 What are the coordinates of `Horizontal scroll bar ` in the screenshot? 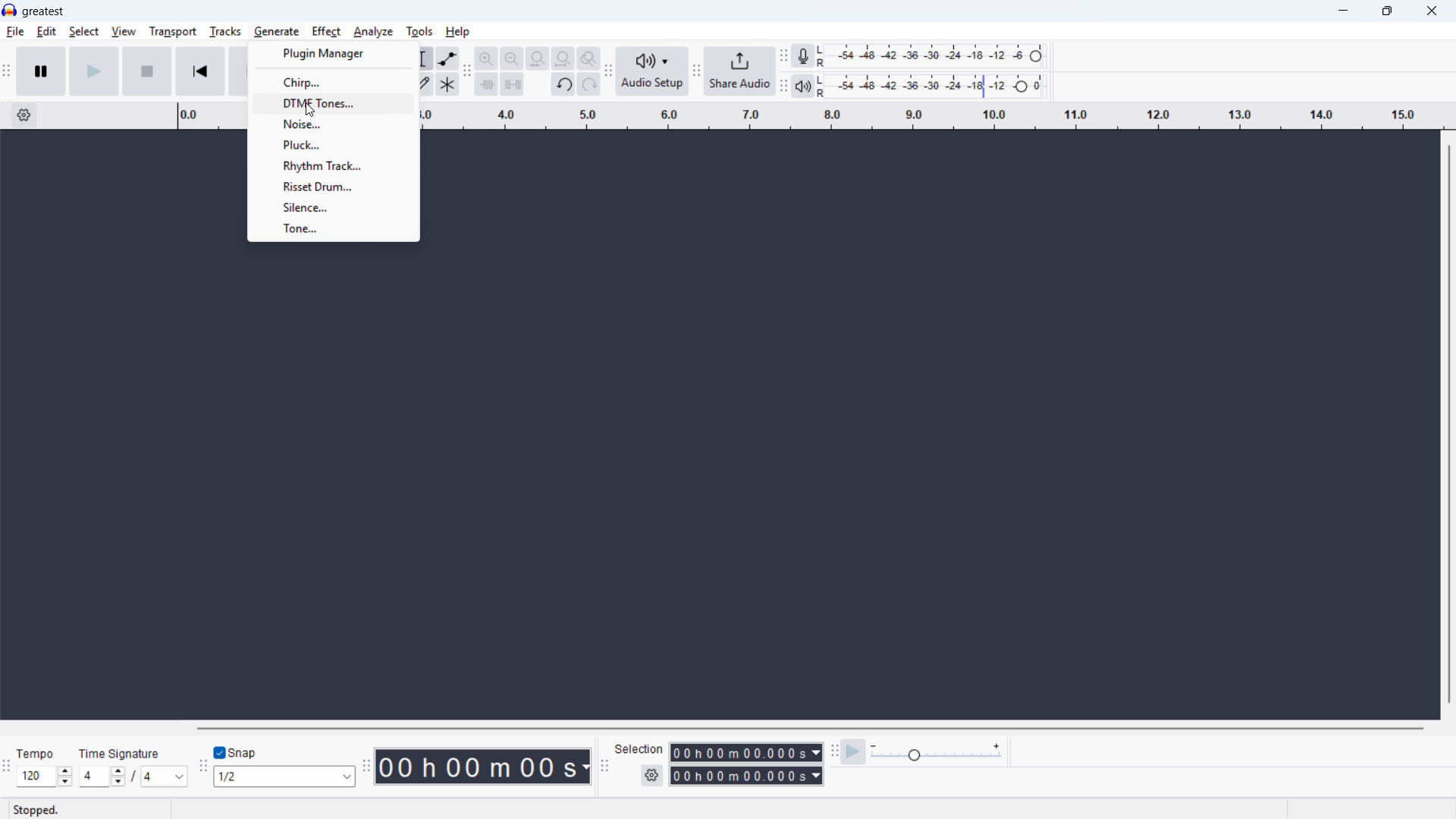 It's located at (811, 728).